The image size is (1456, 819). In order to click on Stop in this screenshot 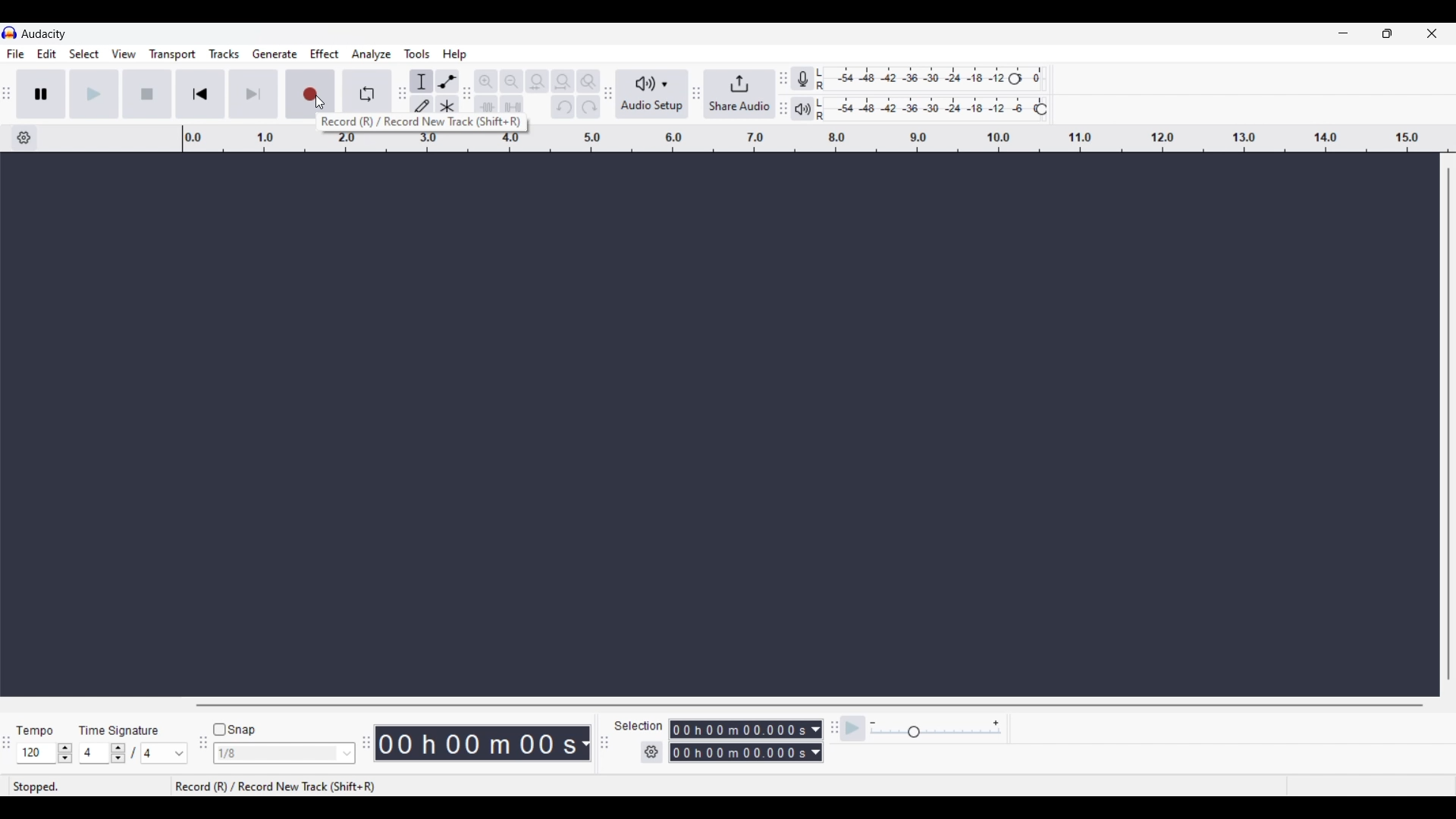, I will do `click(147, 94)`.